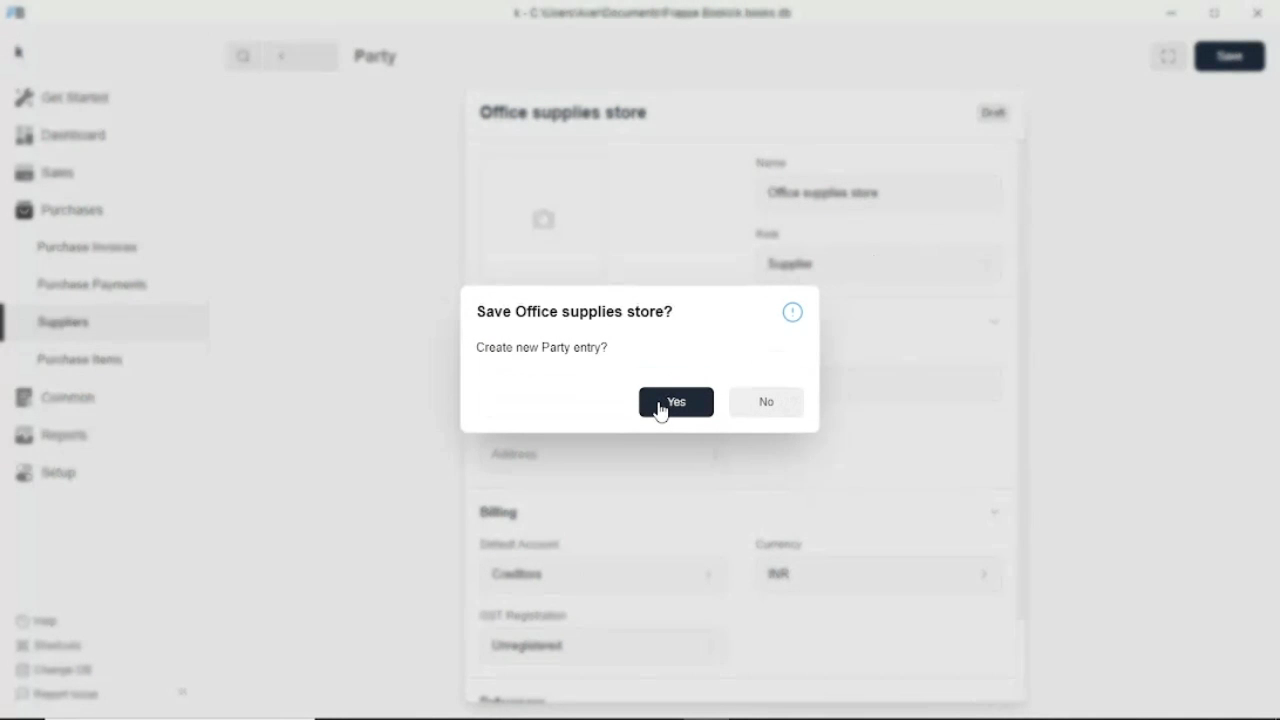 The width and height of the screenshot is (1280, 720). Describe the element at coordinates (1169, 56) in the screenshot. I see `Toggle between form and full width` at that location.